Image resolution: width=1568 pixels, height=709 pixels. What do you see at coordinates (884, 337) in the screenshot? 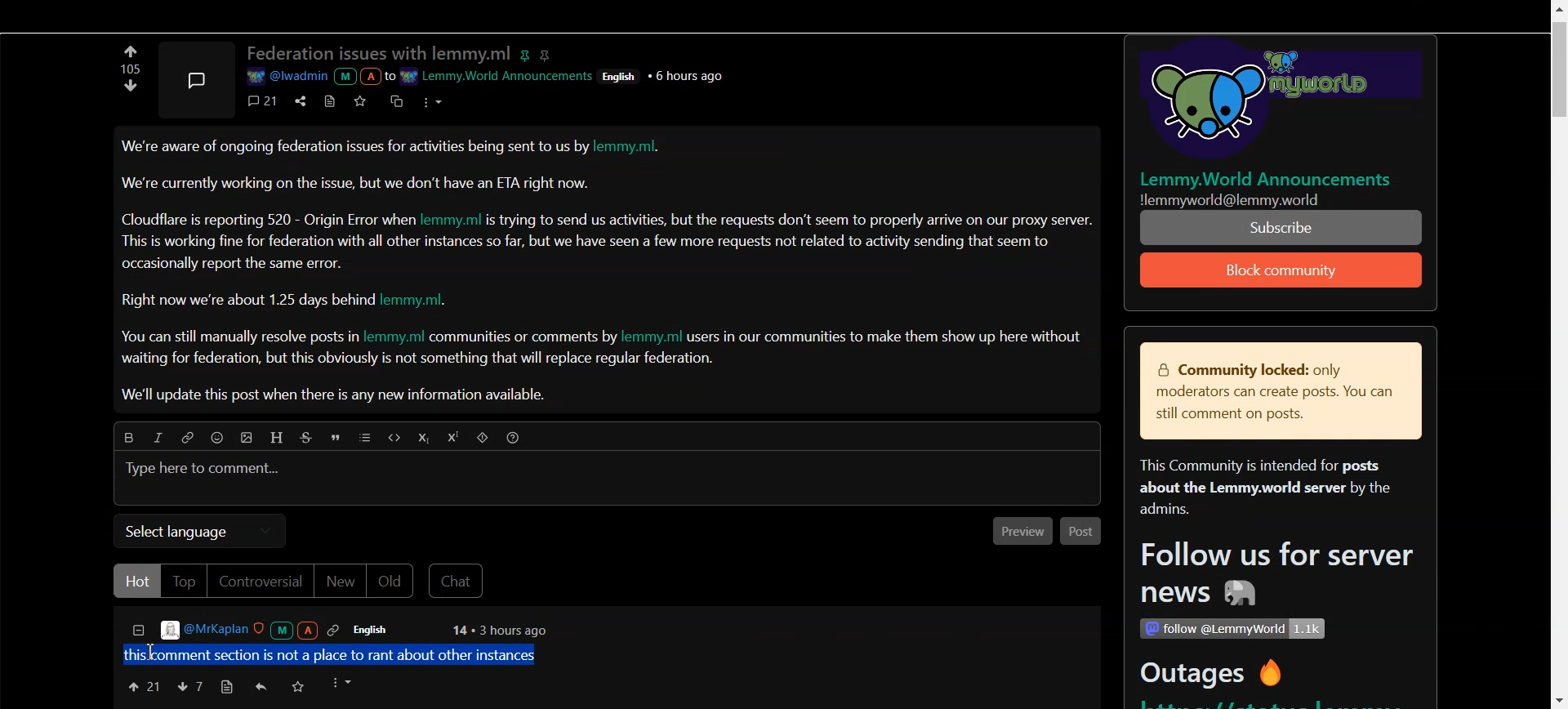
I see `| users in our communities to make them show up here withou` at bounding box center [884, 337].